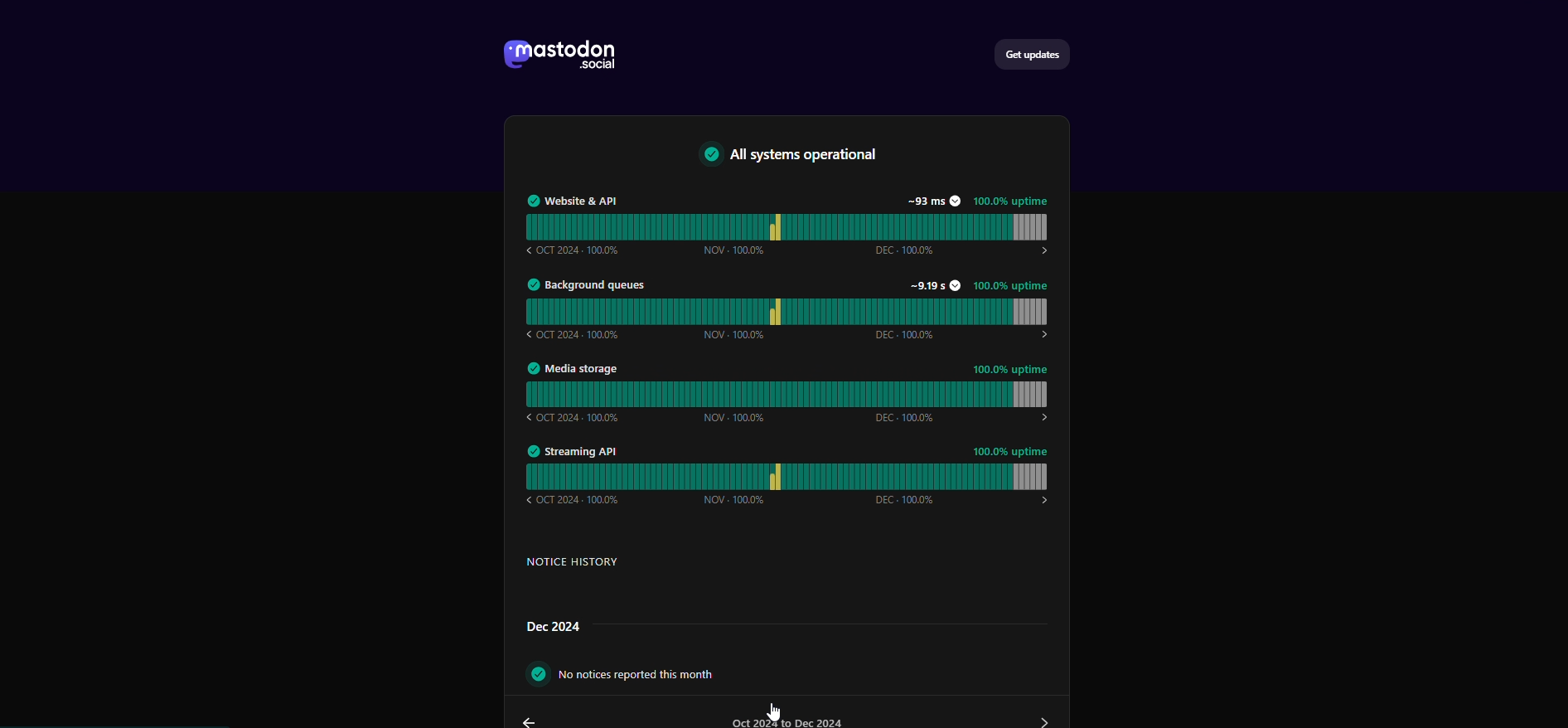 The image size is (1568, 728). What do you see at coordinates (804, 156) in the screenshot?
I see `All systems operational` at bounding box center [804, 156].